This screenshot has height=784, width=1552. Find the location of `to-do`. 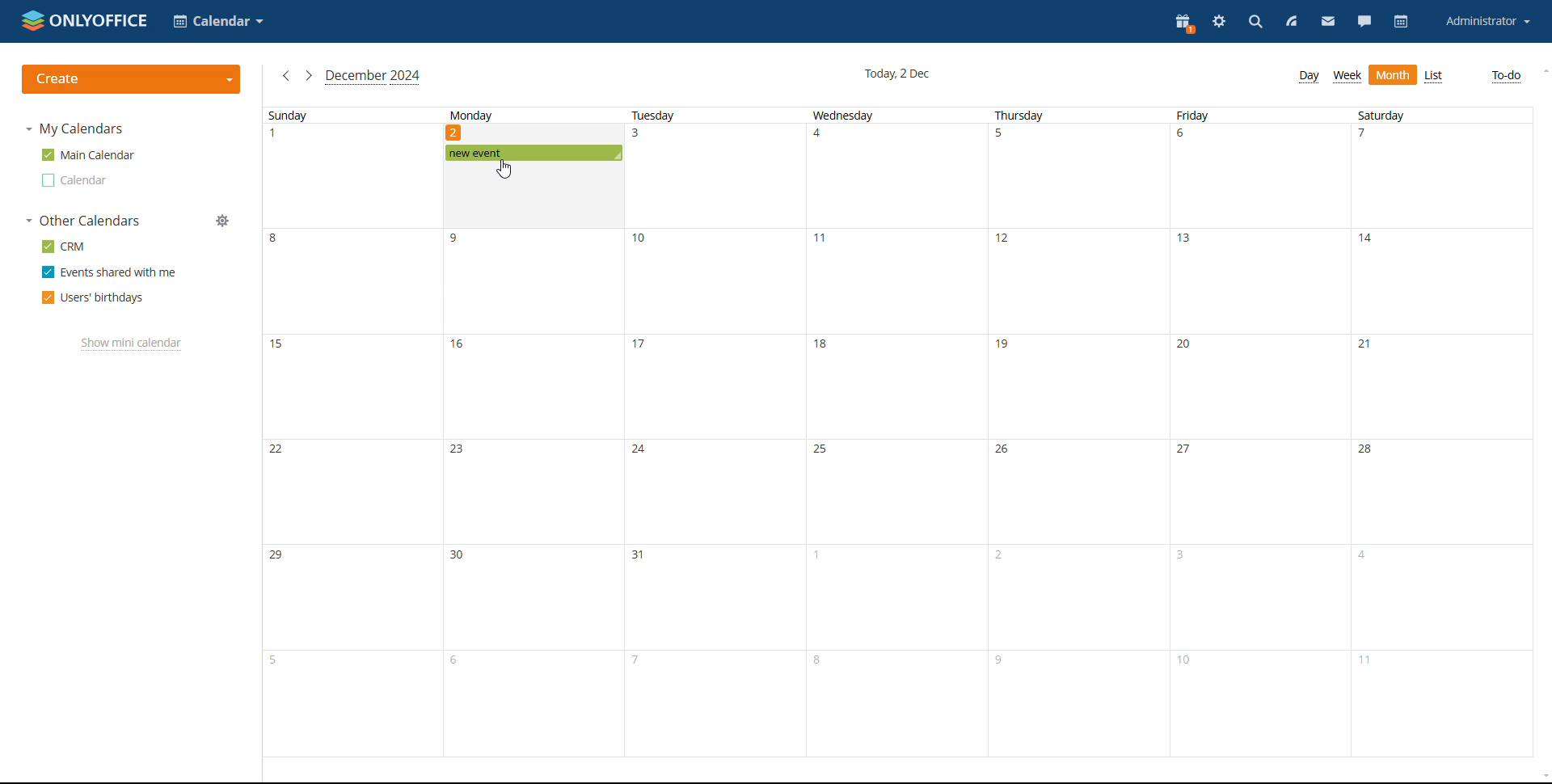

to-do is located at coordinates (1505, 76).